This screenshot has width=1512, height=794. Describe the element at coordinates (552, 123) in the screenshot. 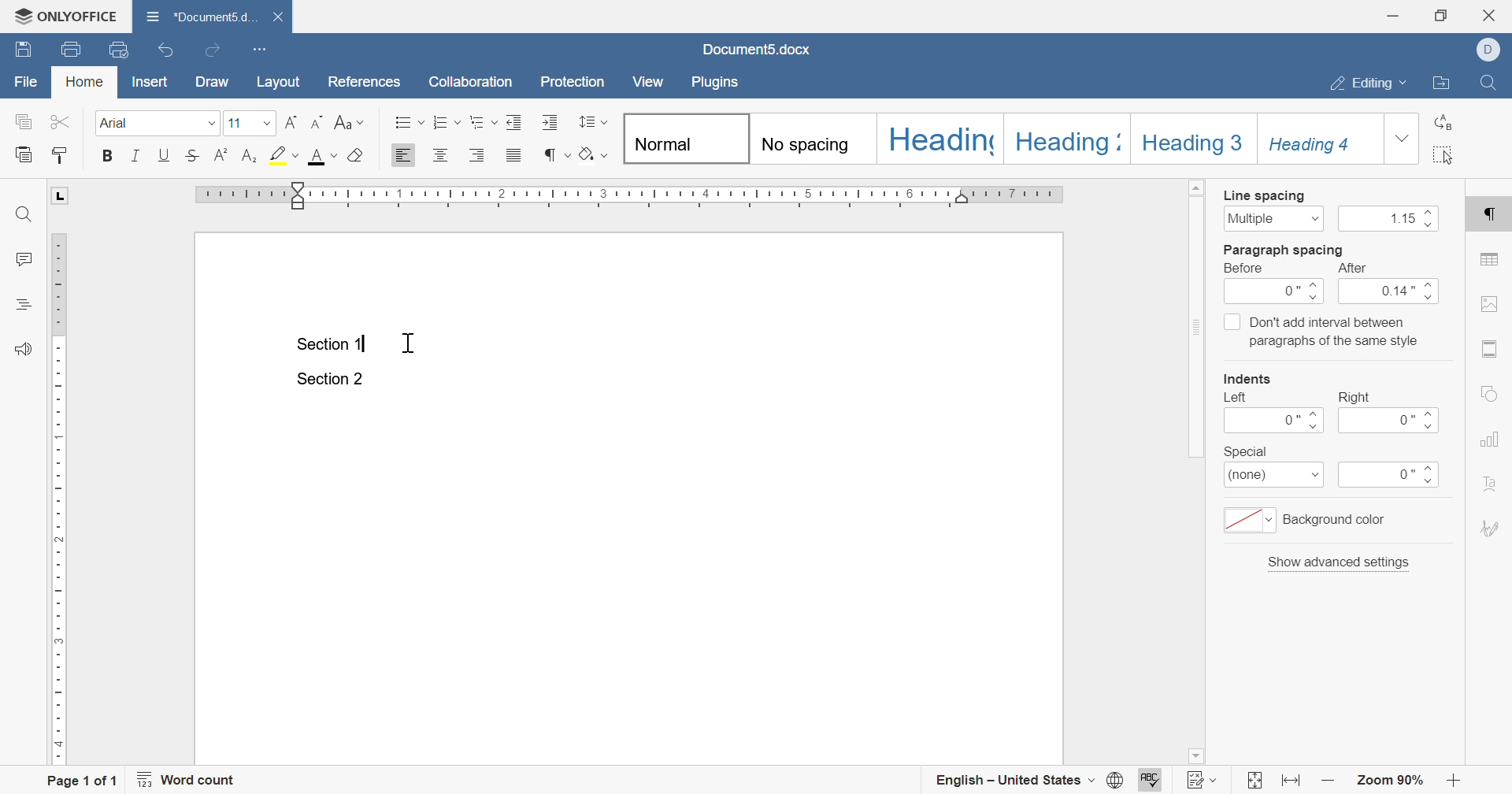

I see `Increase indent` at that location.